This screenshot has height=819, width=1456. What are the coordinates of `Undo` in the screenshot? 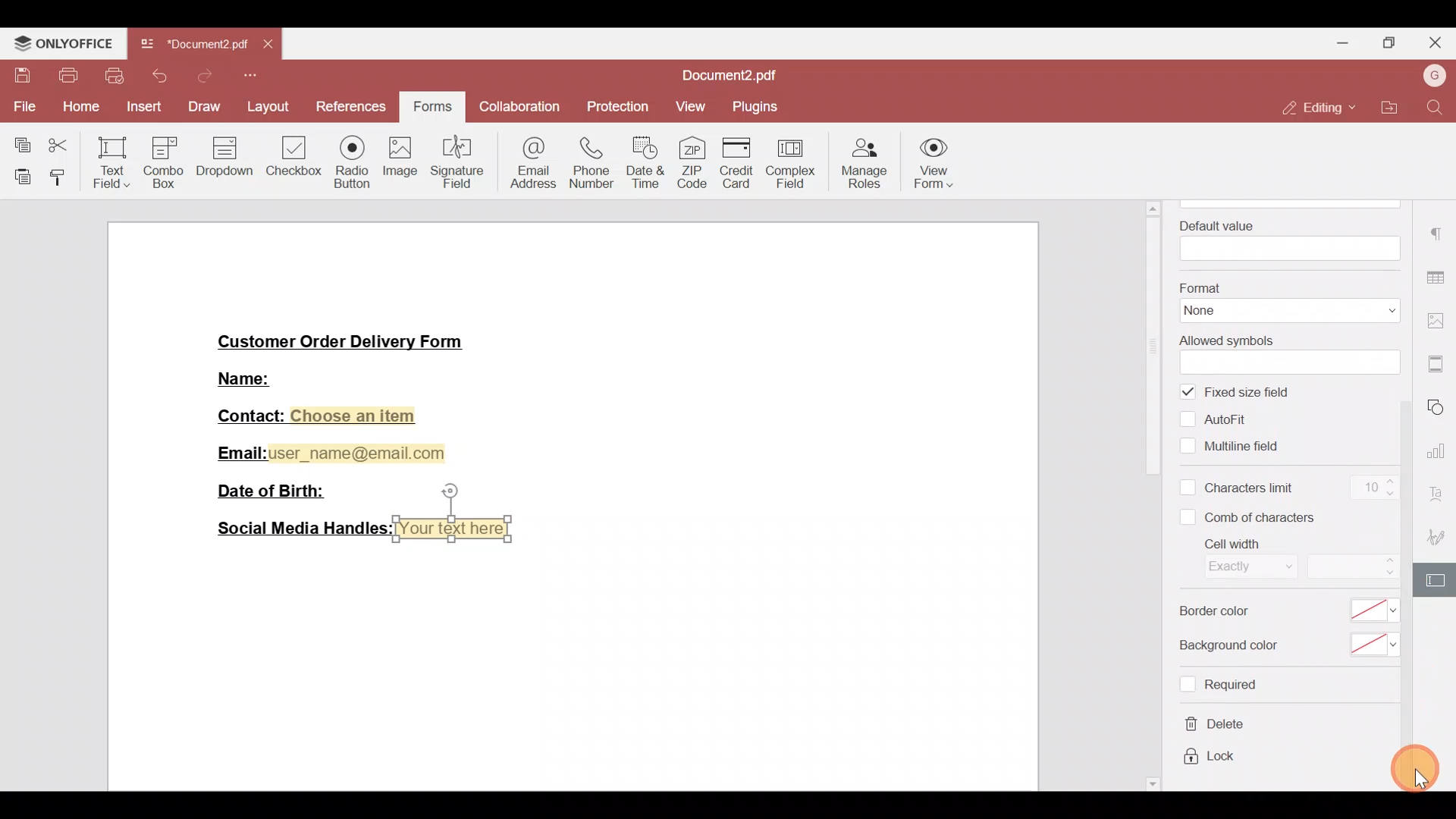 It's located at (162, 76).